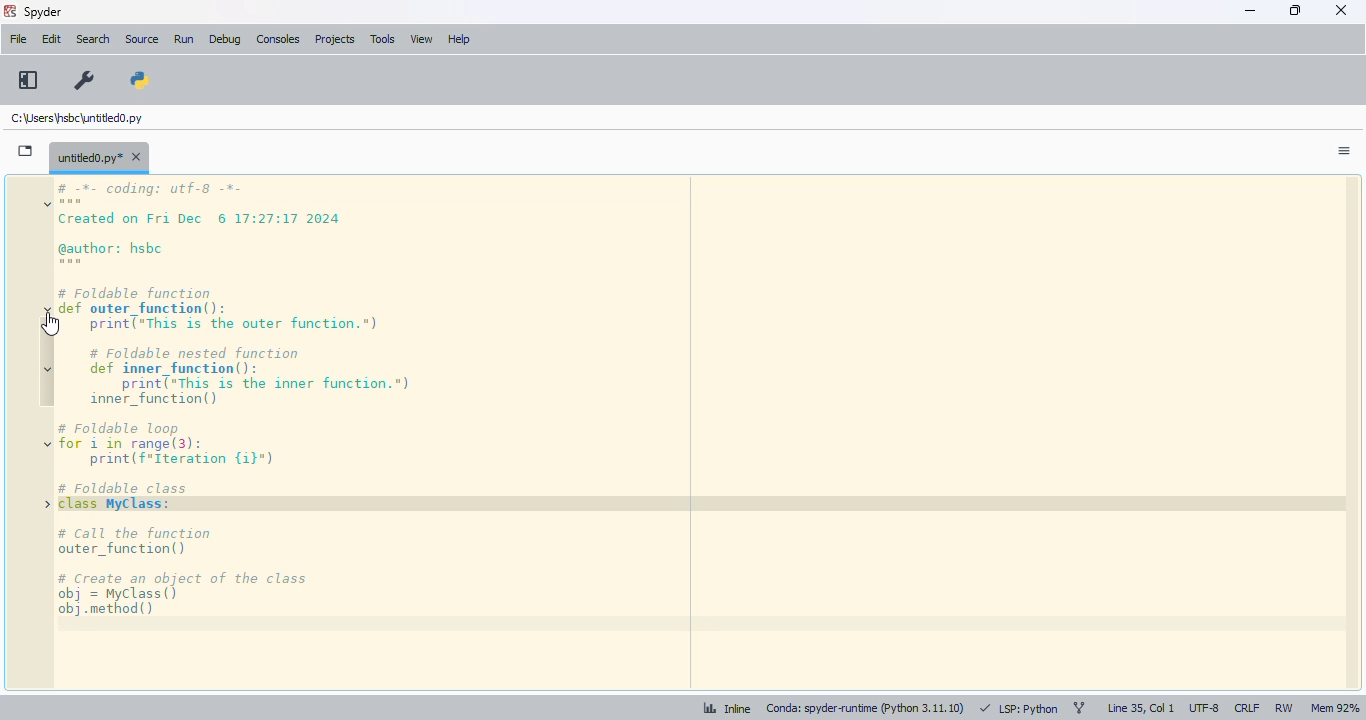 The width and height of the screenshot is (1366, 720). I want to click on untitled0.py, so click(76, 118).